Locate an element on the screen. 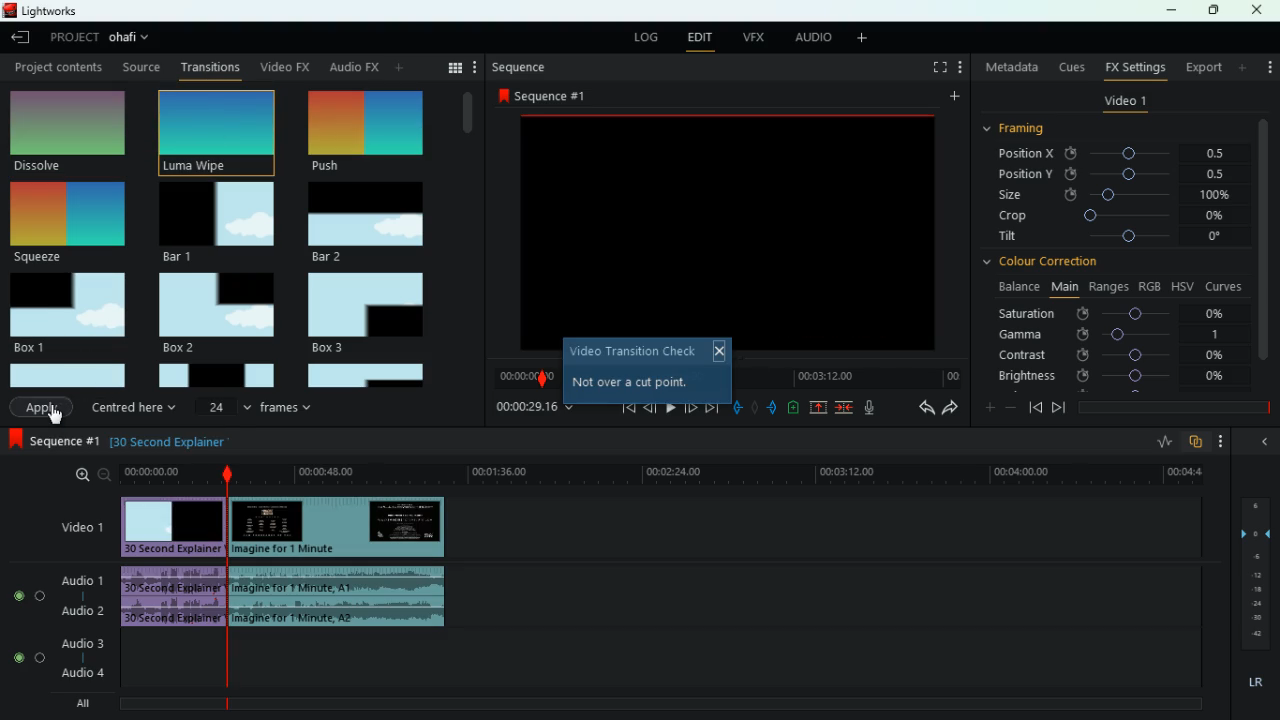 The width and height of the screenshot is (1280, 720). colour correction is located at coordinates (1048, 261).